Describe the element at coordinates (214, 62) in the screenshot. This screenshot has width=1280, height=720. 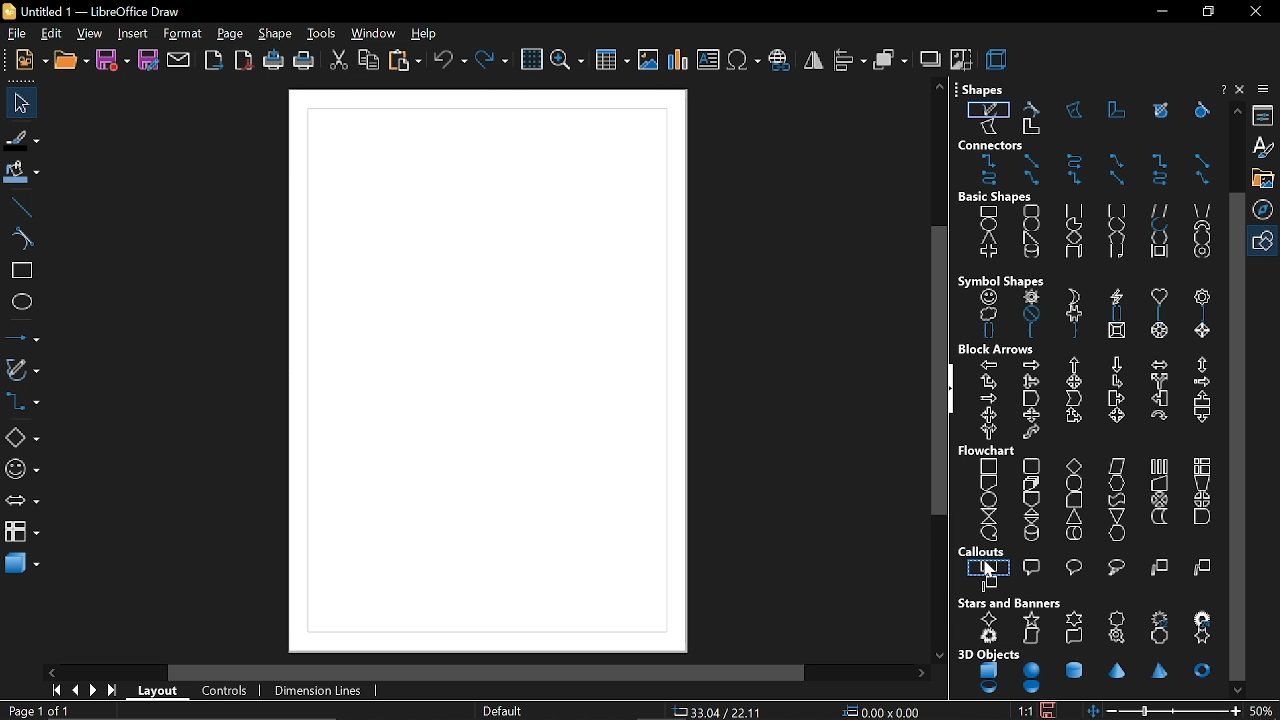
I see `export` at that location.